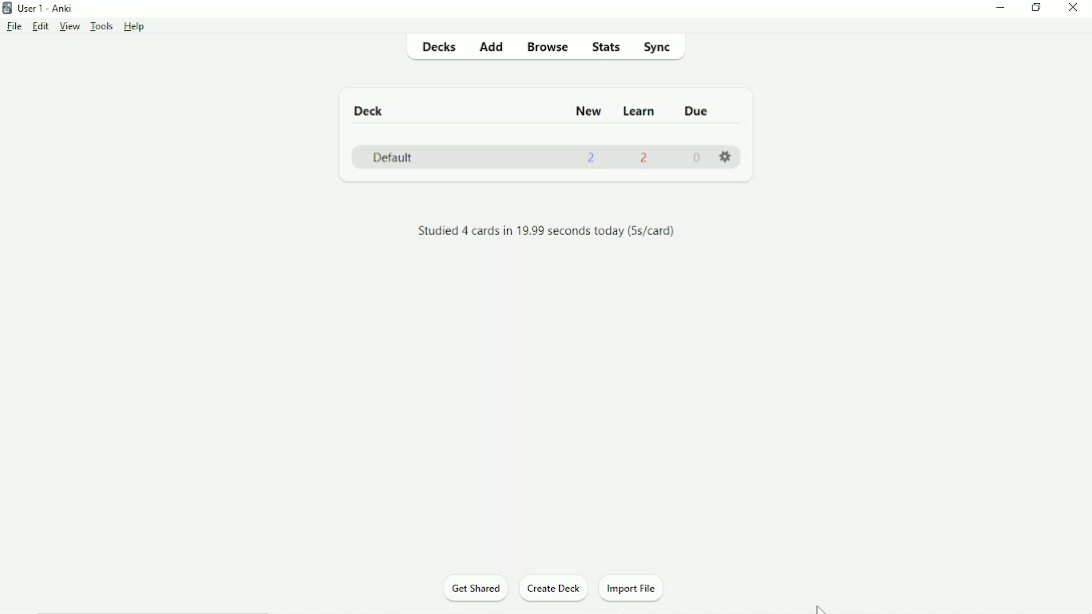  What do you see at coordinates (45, 8) in the screenshot?
I see `User 1 - Anki` at bounding box center [45, 8].